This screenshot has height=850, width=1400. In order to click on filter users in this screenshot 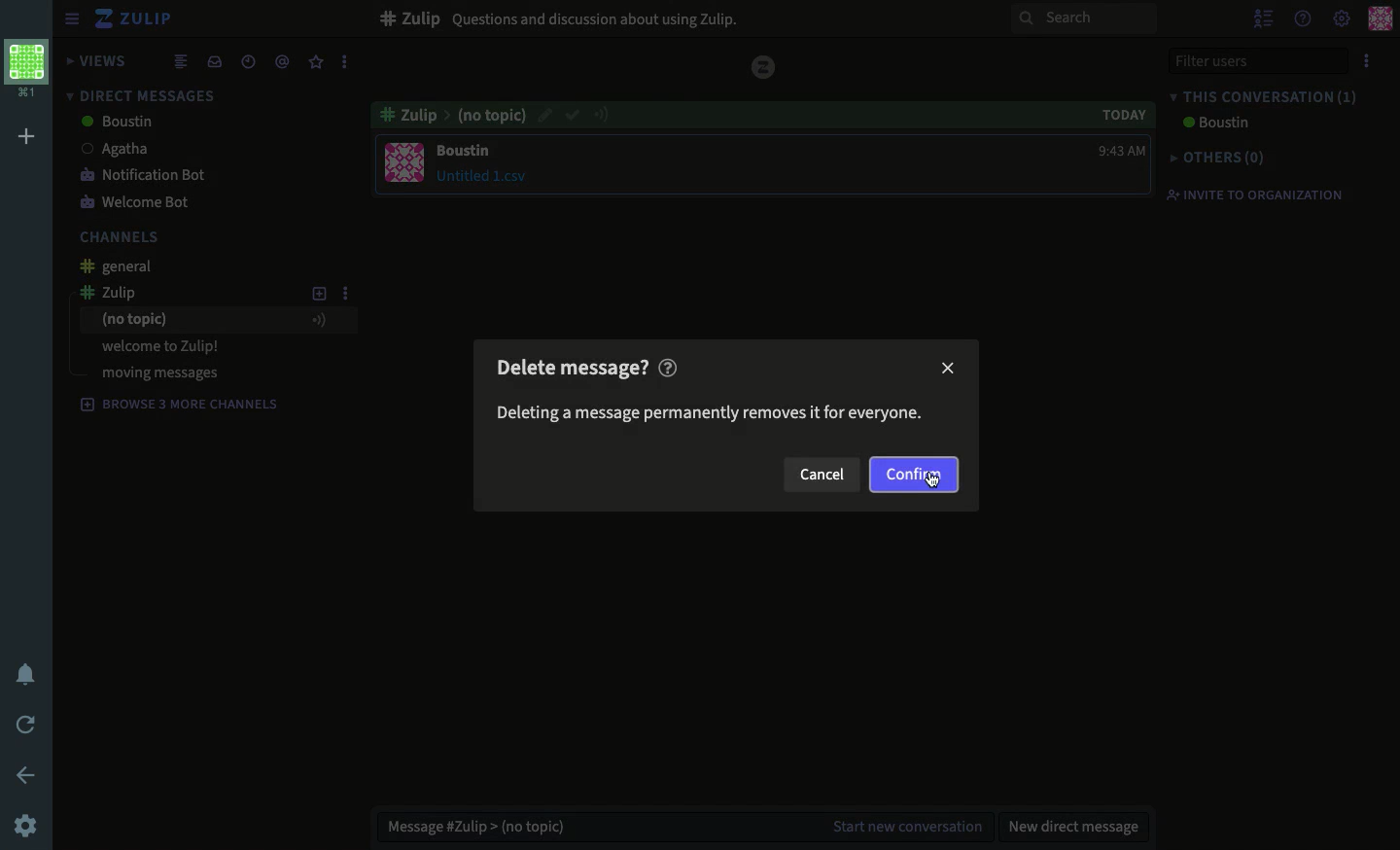, I will do `click(1255, 62)`.